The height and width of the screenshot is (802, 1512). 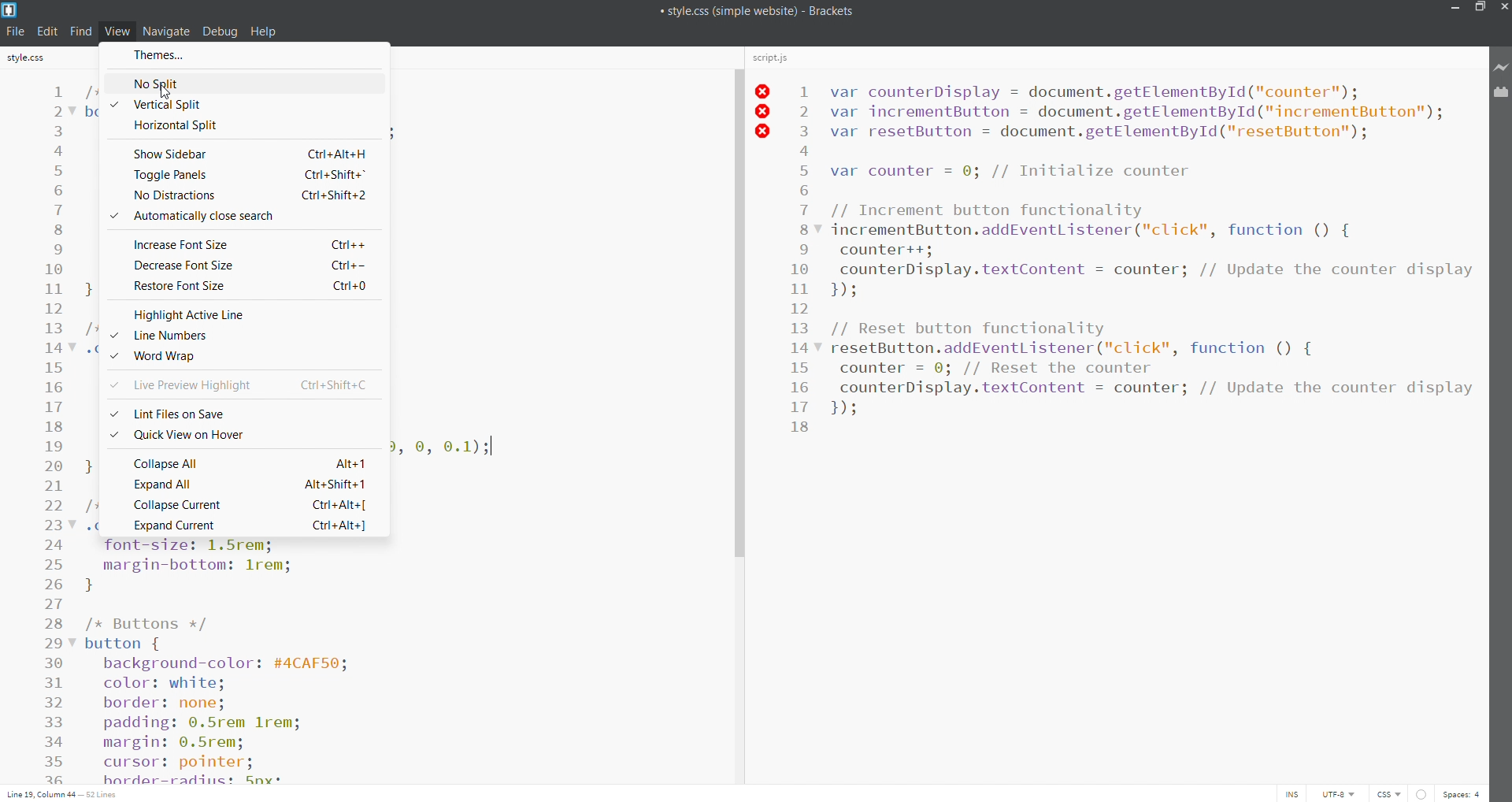 I want to click on live preview highlights, so click(x=241, y=384).